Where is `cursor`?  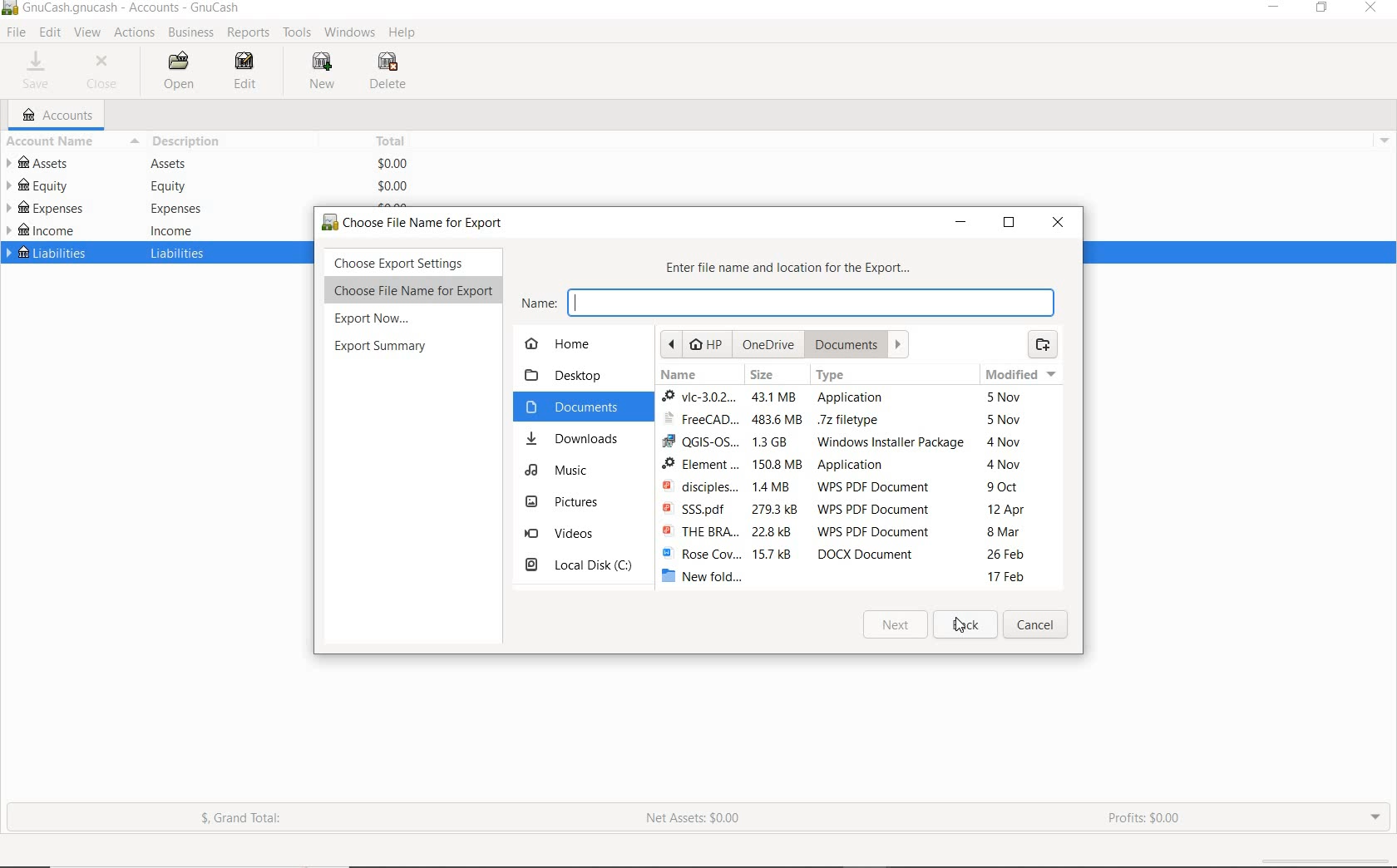
cursor is located at coordinates (22, 37).